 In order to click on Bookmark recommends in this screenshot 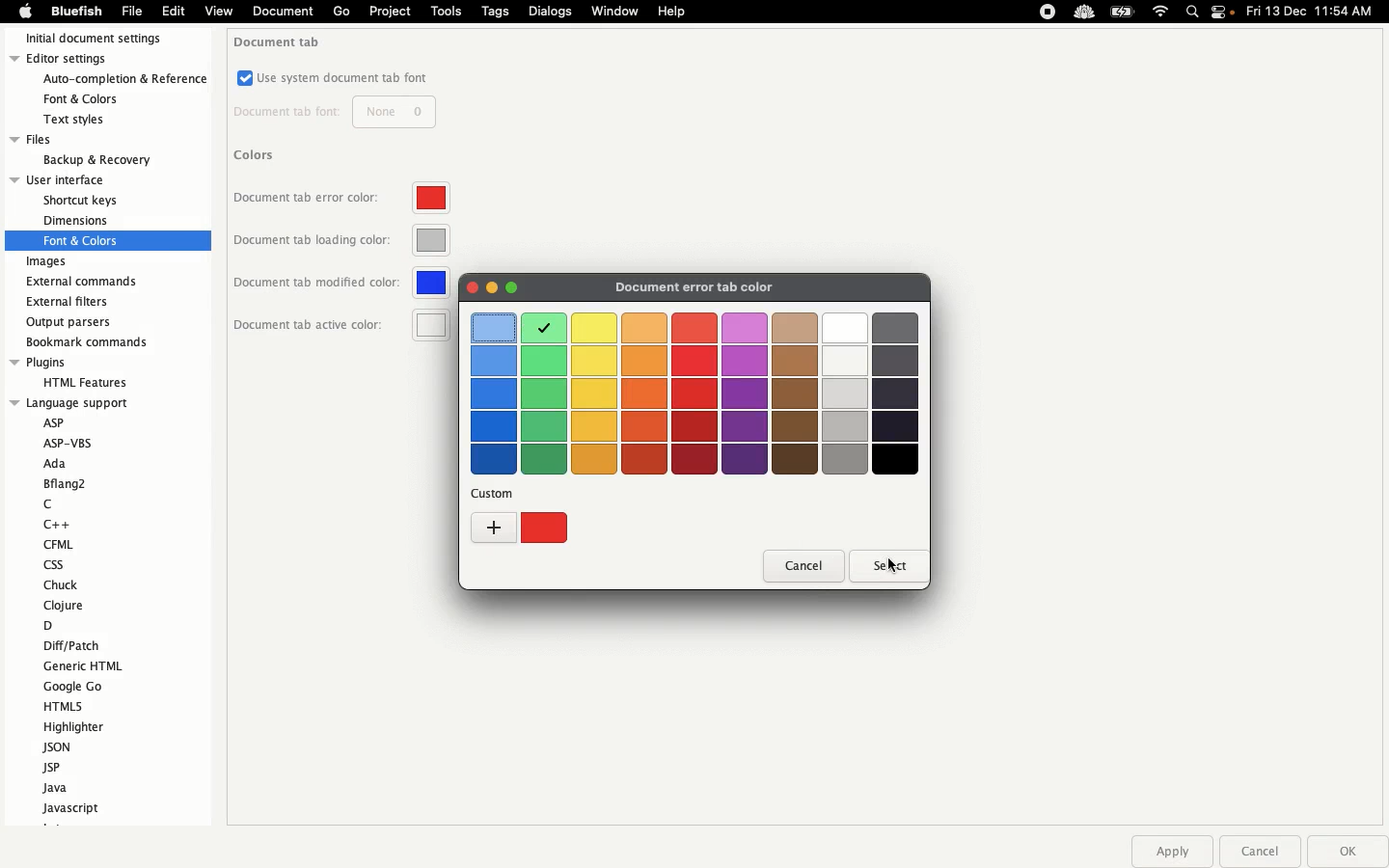, I will do `click(89, 340)`.